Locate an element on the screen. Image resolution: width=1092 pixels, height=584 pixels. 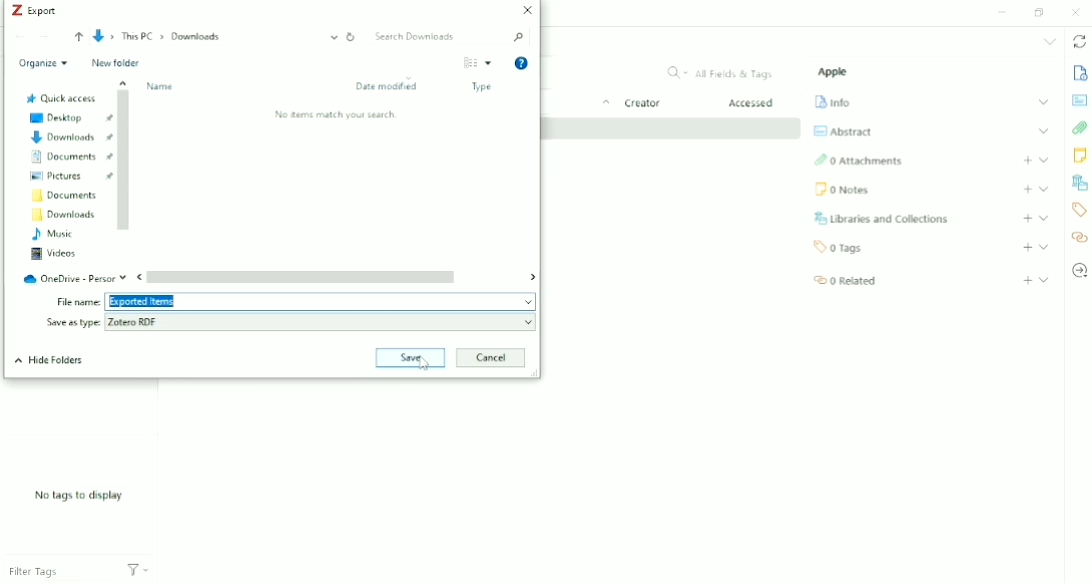
Downloads is located at coordinates (64, 215).